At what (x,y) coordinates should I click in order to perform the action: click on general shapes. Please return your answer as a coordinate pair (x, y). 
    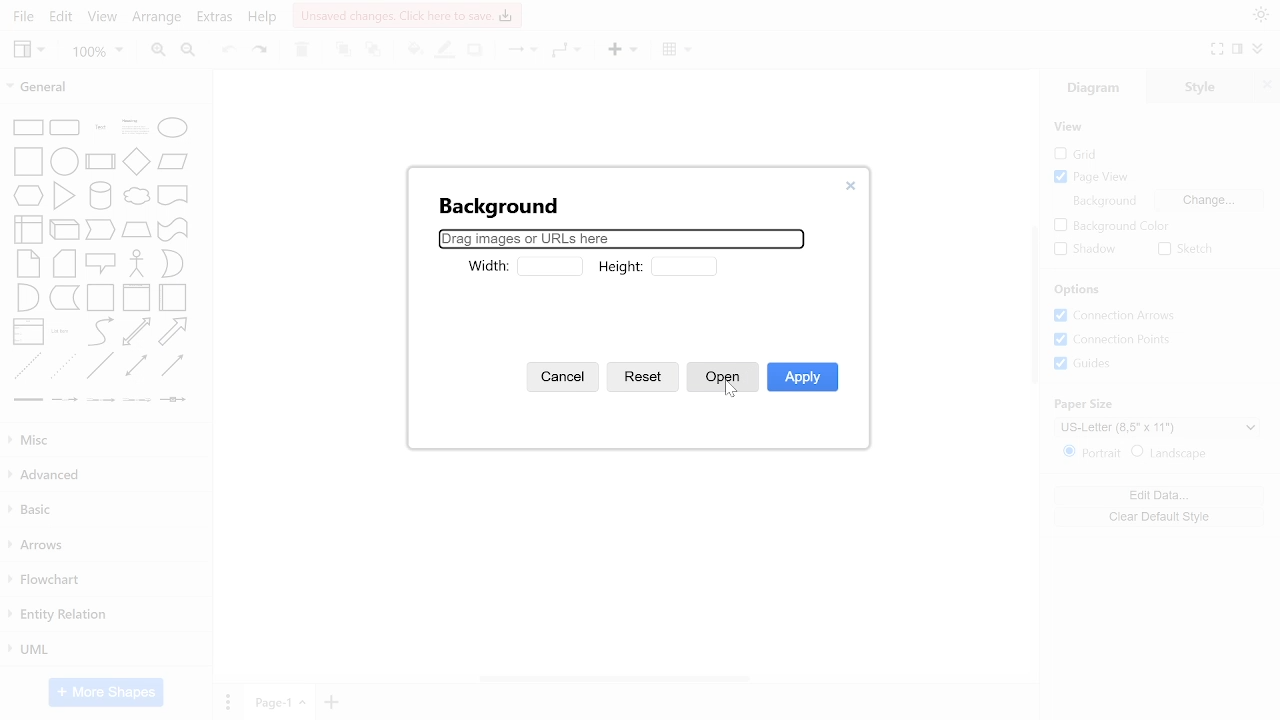
    Looking at the image, I should click on (29, 227).